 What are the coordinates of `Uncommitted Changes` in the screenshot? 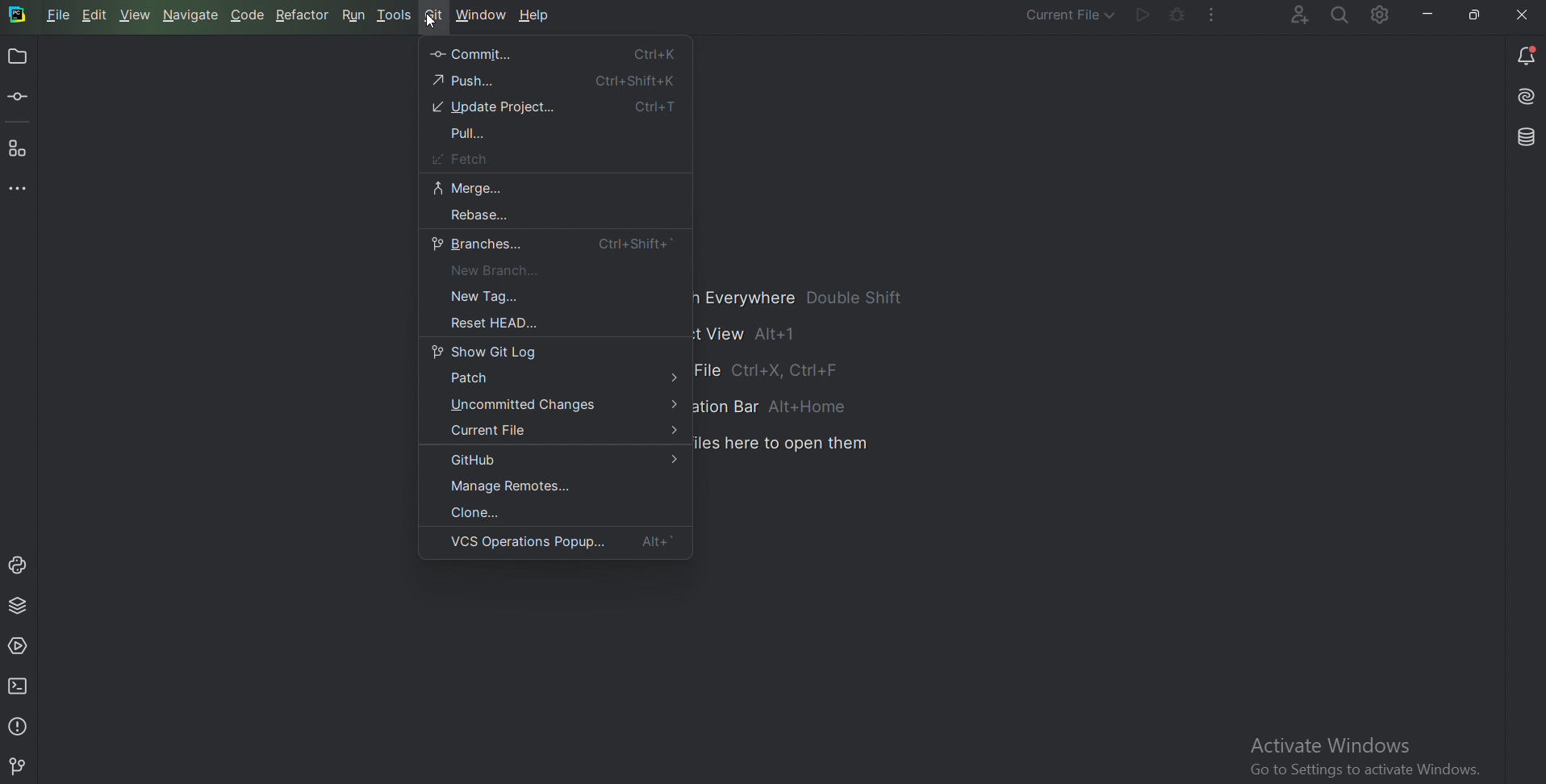 It's located at (564, 406).